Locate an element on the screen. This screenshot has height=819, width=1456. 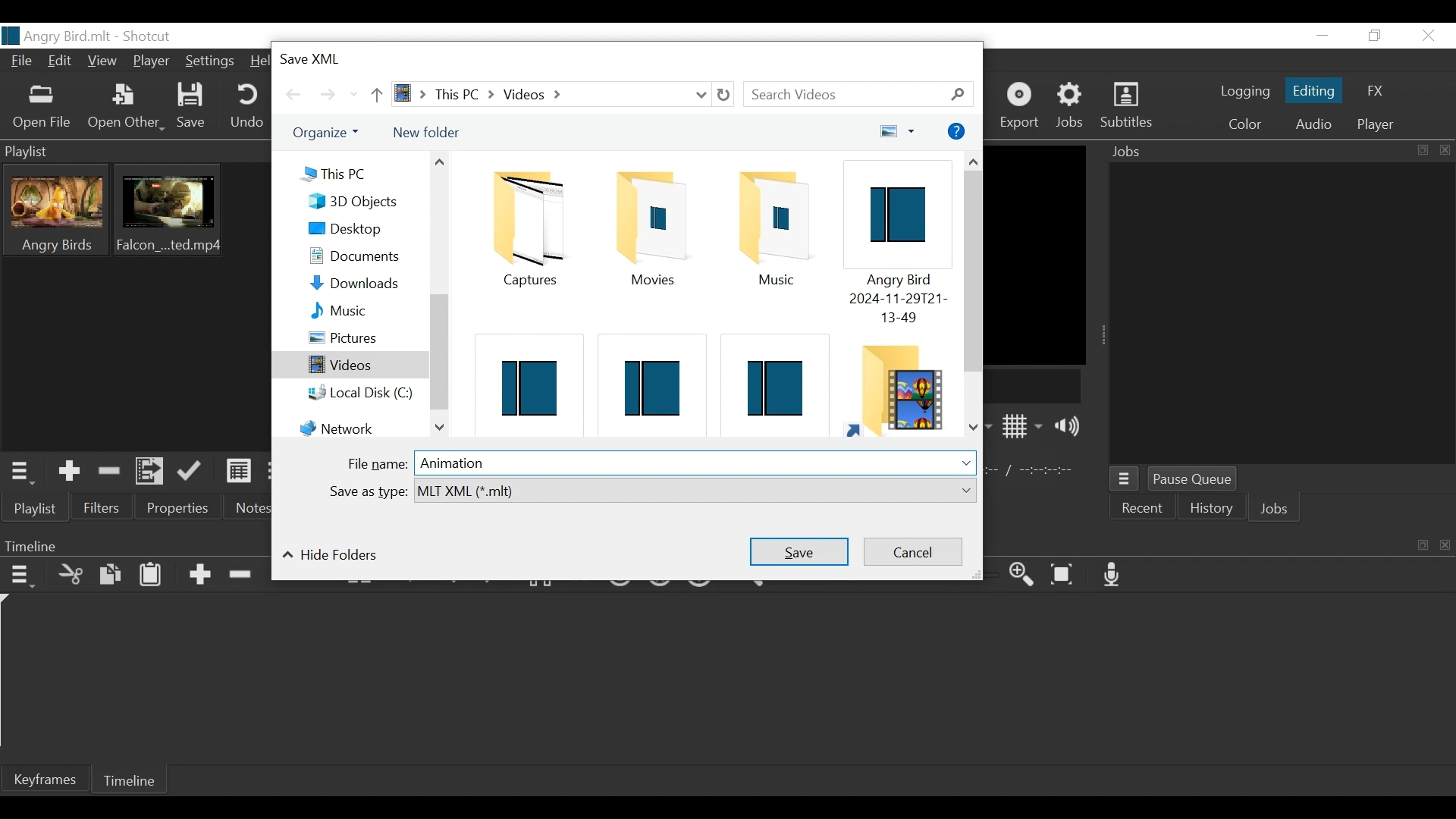
Desktop is located at coordinates (362, 228).